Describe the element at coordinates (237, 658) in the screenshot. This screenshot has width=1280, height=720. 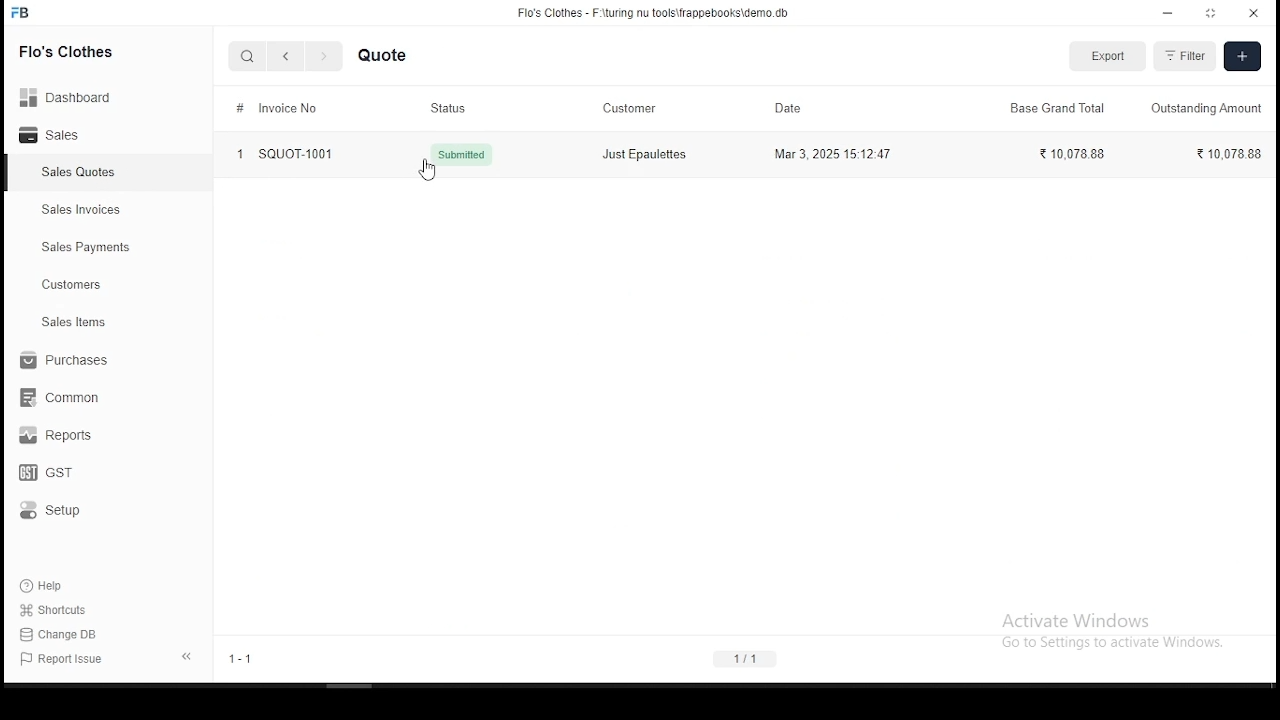
I see `1-1` at that location.